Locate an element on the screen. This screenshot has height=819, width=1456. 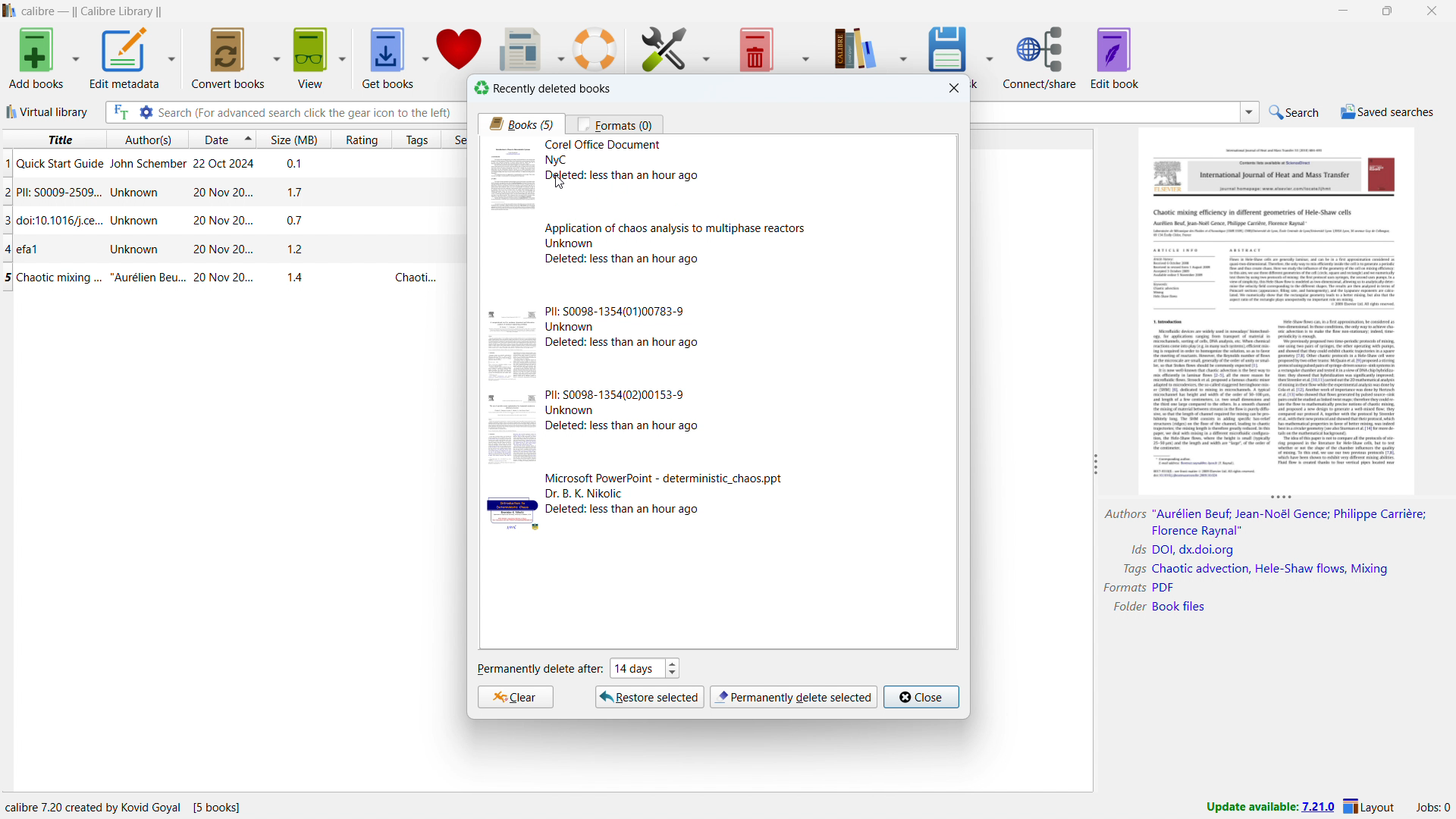
title is located at coordinates (93, 11).